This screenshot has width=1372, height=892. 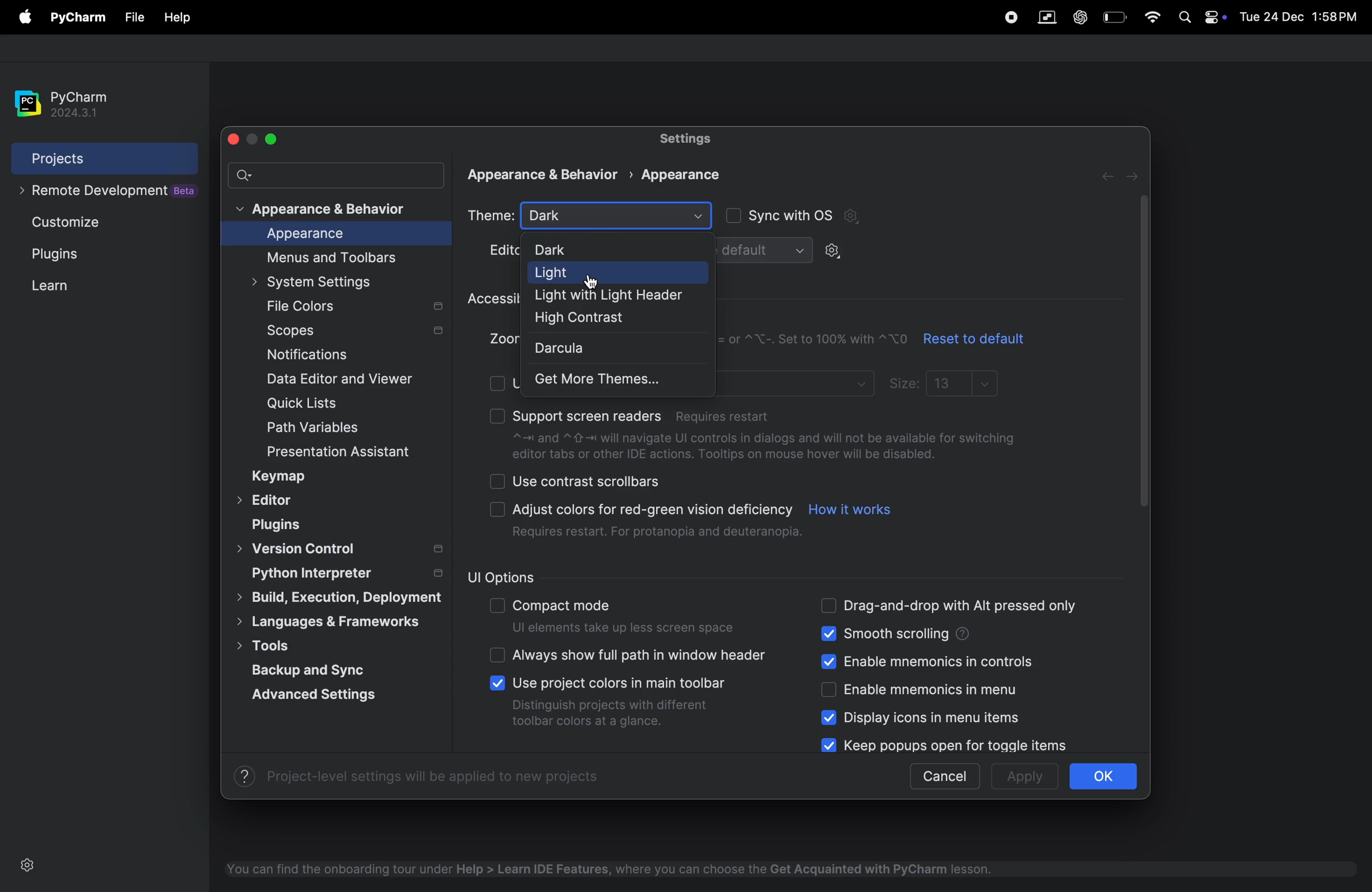 I want to click on You can find the onboarding tour under Help > Learn IDE Features, where you can choose the Get Acquainted with PyCharm lesson., so click(x=612, y=865).